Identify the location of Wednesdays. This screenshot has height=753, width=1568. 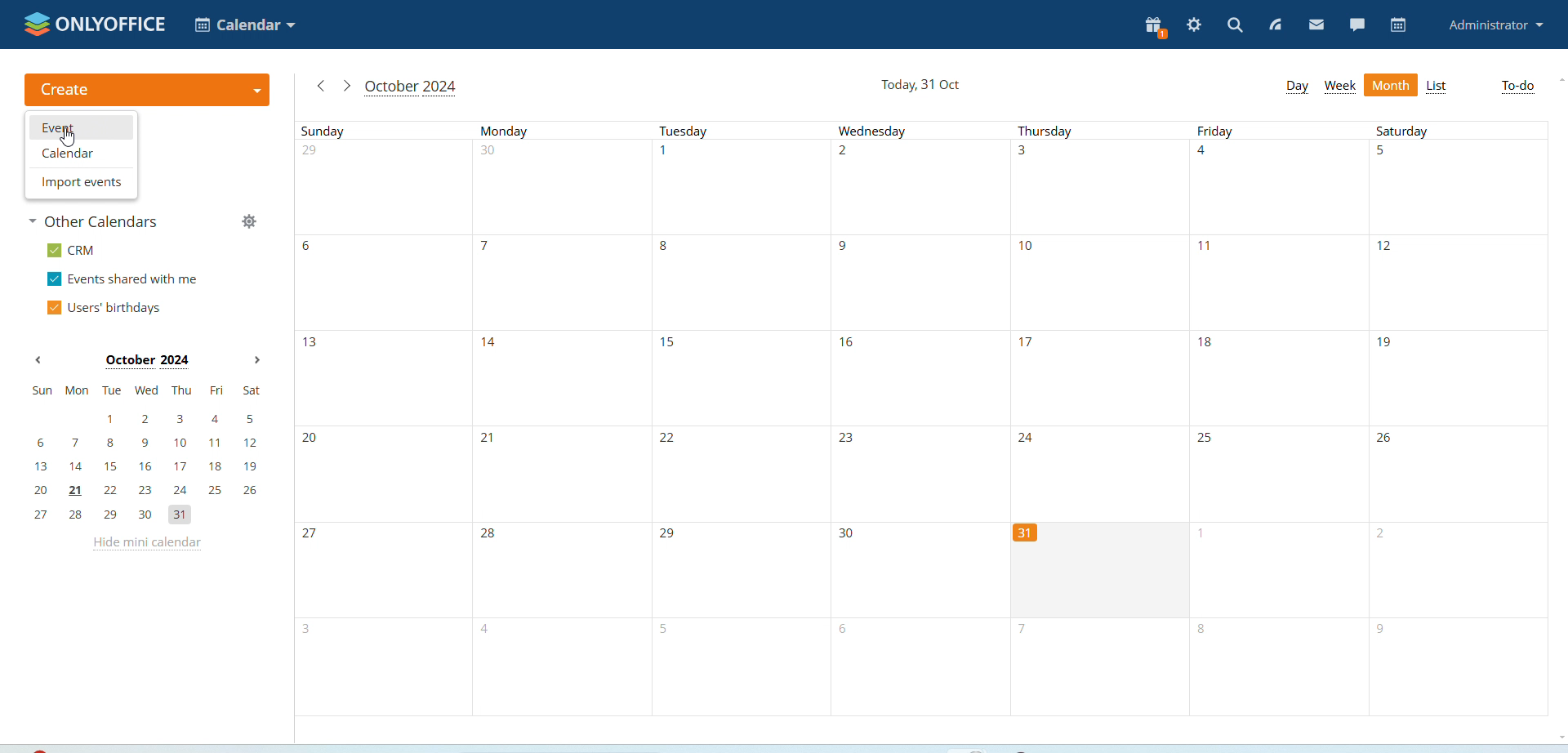
(918, 419).